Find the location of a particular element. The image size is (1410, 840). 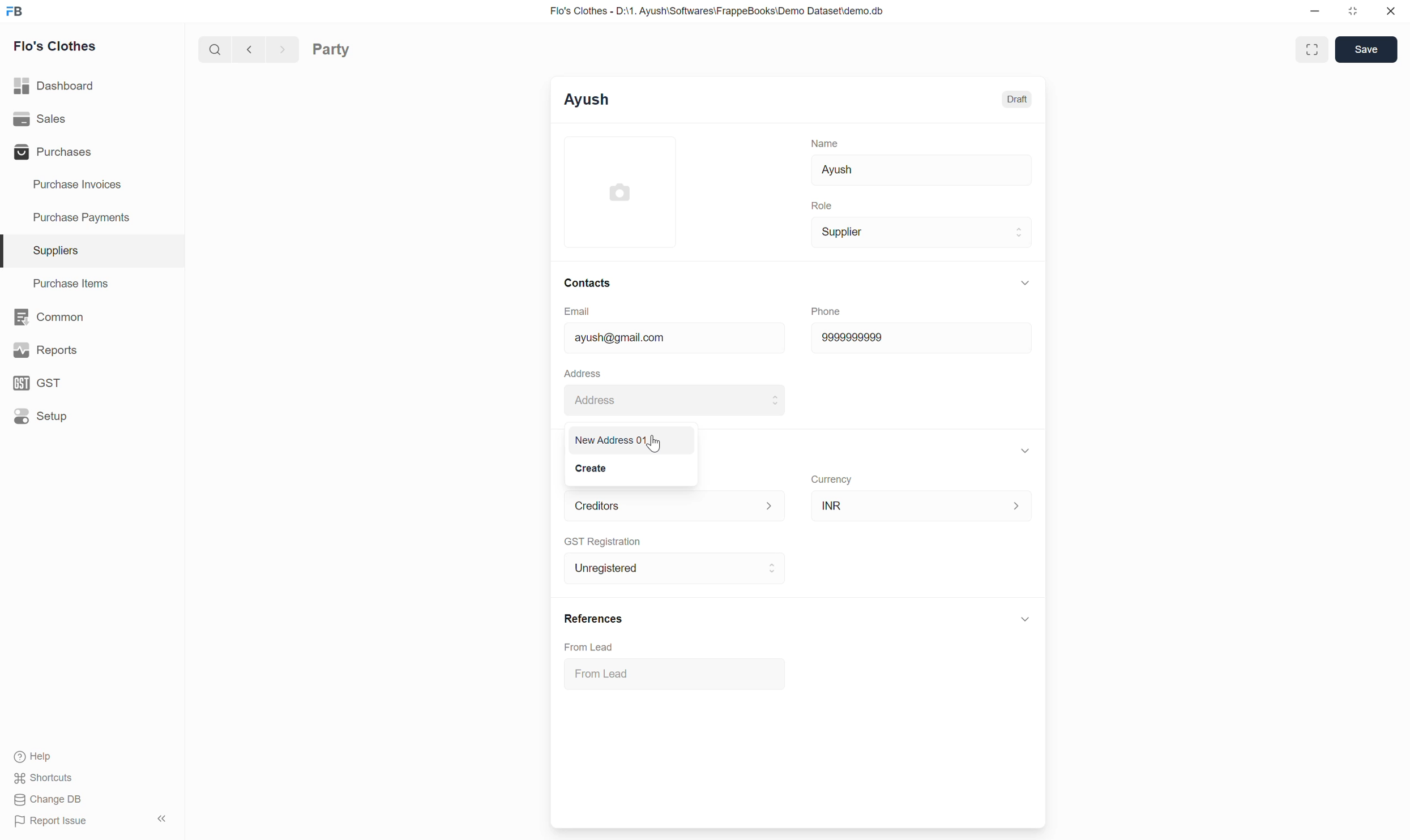

Common is located at coordinates (91, 317).